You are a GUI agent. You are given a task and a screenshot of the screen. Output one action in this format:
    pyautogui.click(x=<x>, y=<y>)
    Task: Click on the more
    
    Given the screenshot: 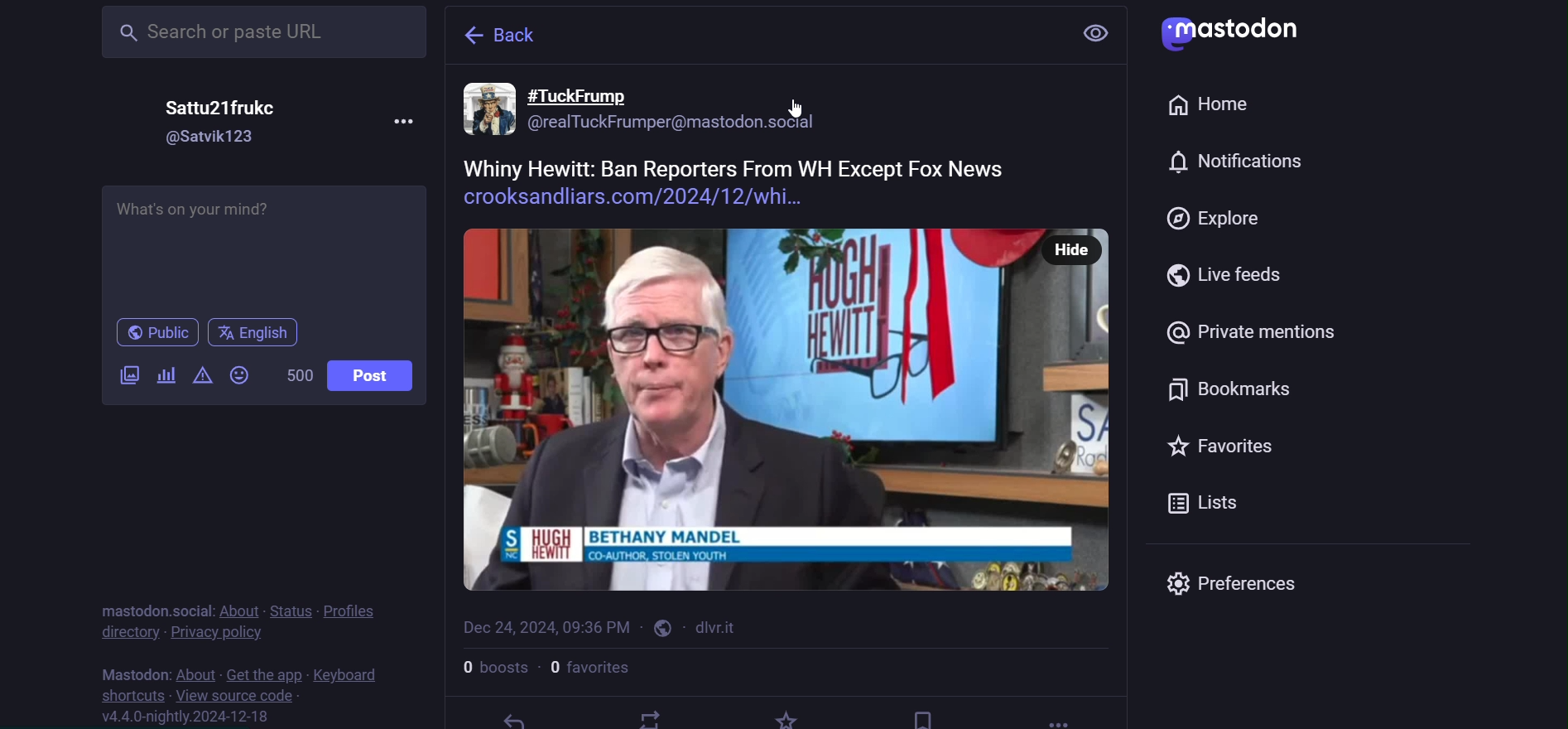 What is the action you would take?
    pyautogui.click(x=411, y=121)
    